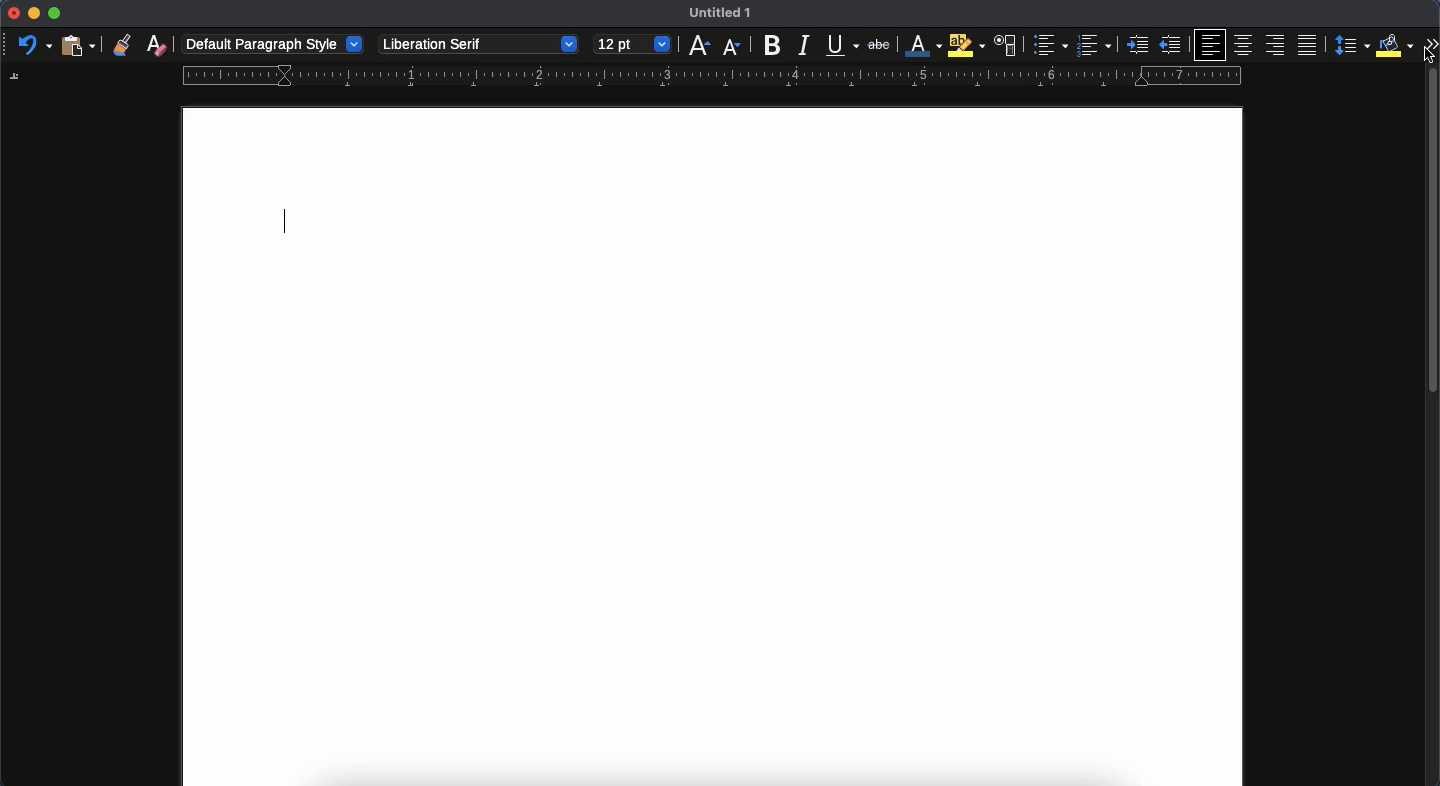  Describe the element at coordinates (711, 76) in the screenshot. I see `guide` at that location.